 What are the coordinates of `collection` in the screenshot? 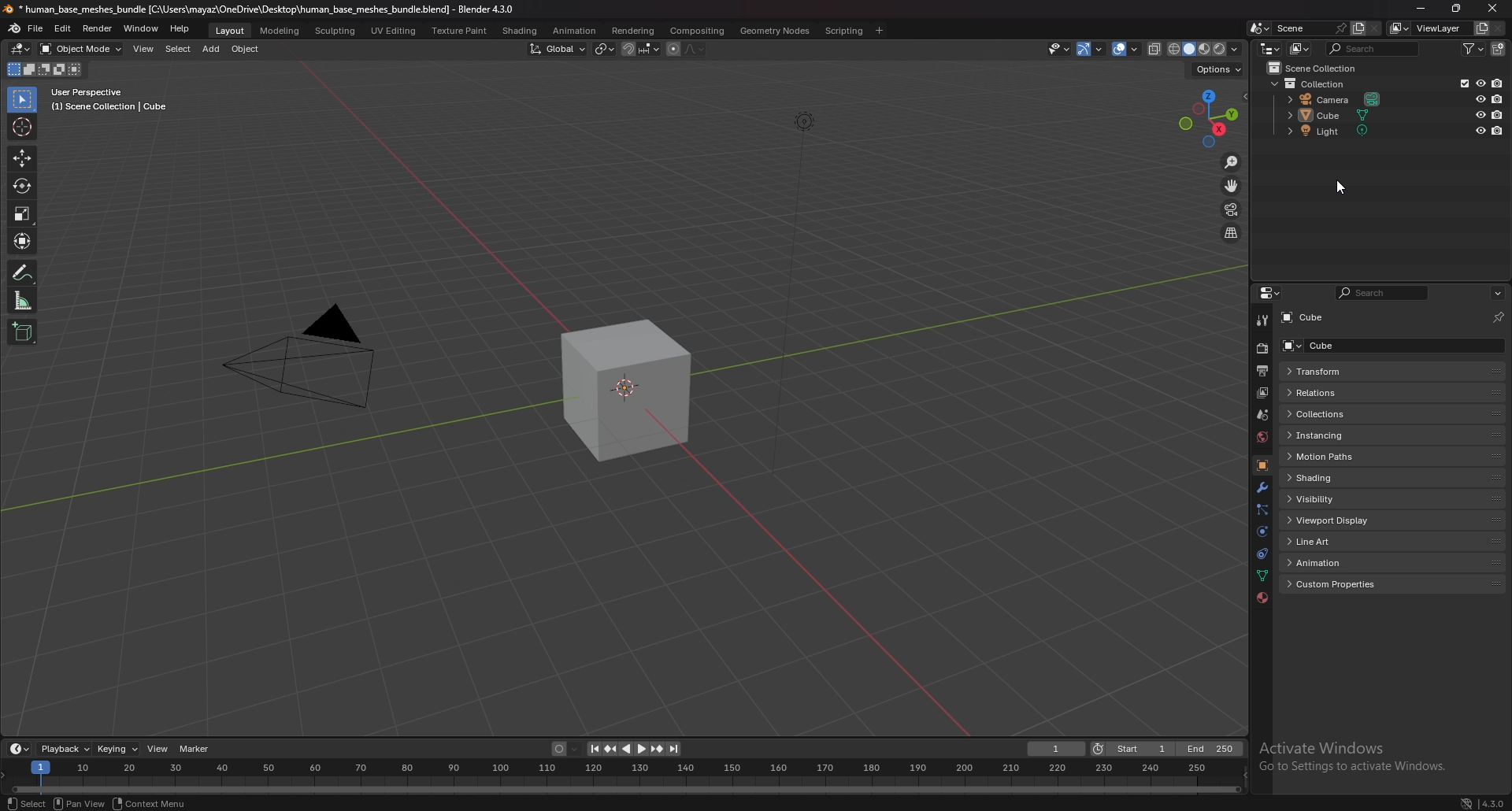 It's located at (1315, 83).